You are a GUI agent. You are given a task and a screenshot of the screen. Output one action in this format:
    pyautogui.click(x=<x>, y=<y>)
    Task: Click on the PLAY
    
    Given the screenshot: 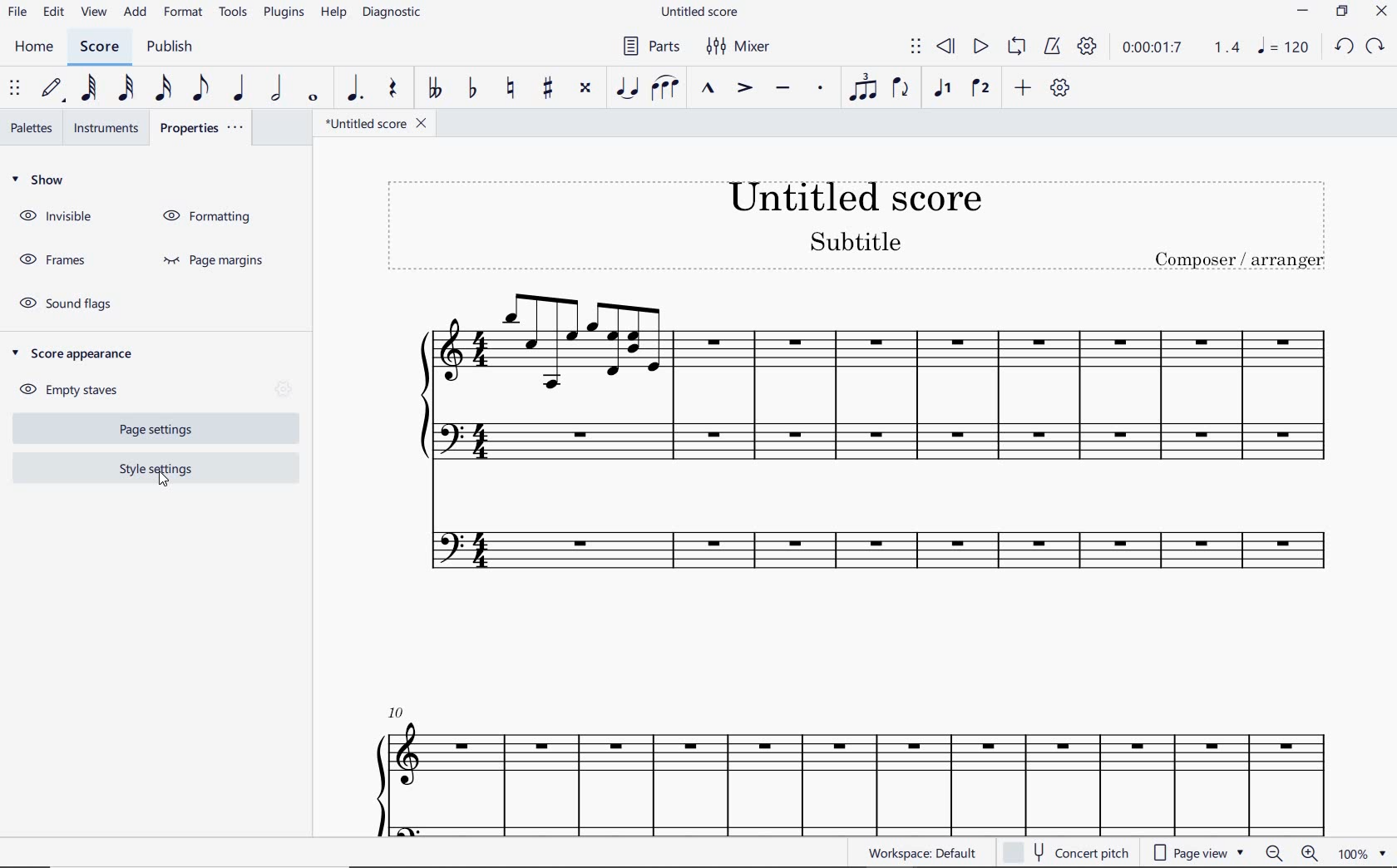 What is the action you would take?
    pyautogui.click(x=980, y=47)
    